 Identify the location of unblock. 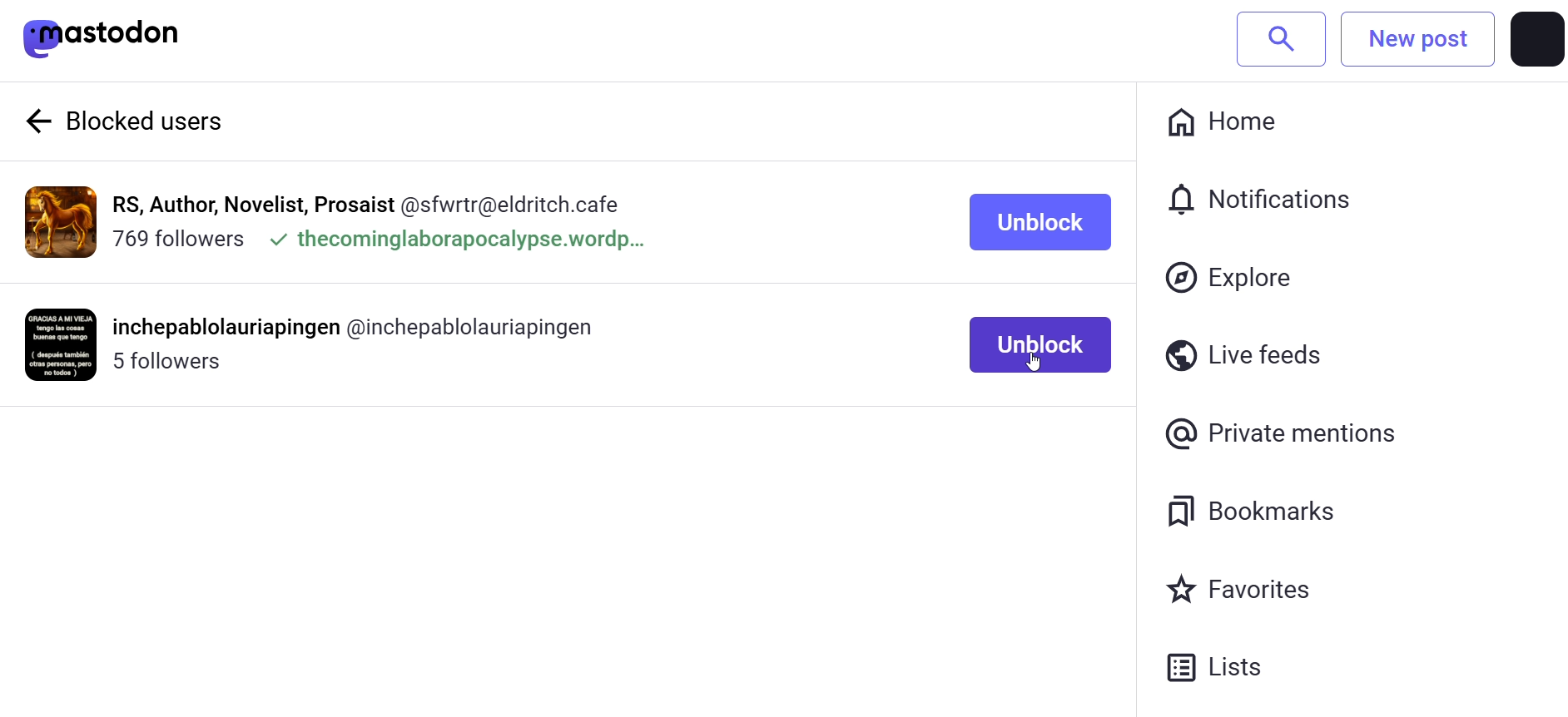
(1044, 225).